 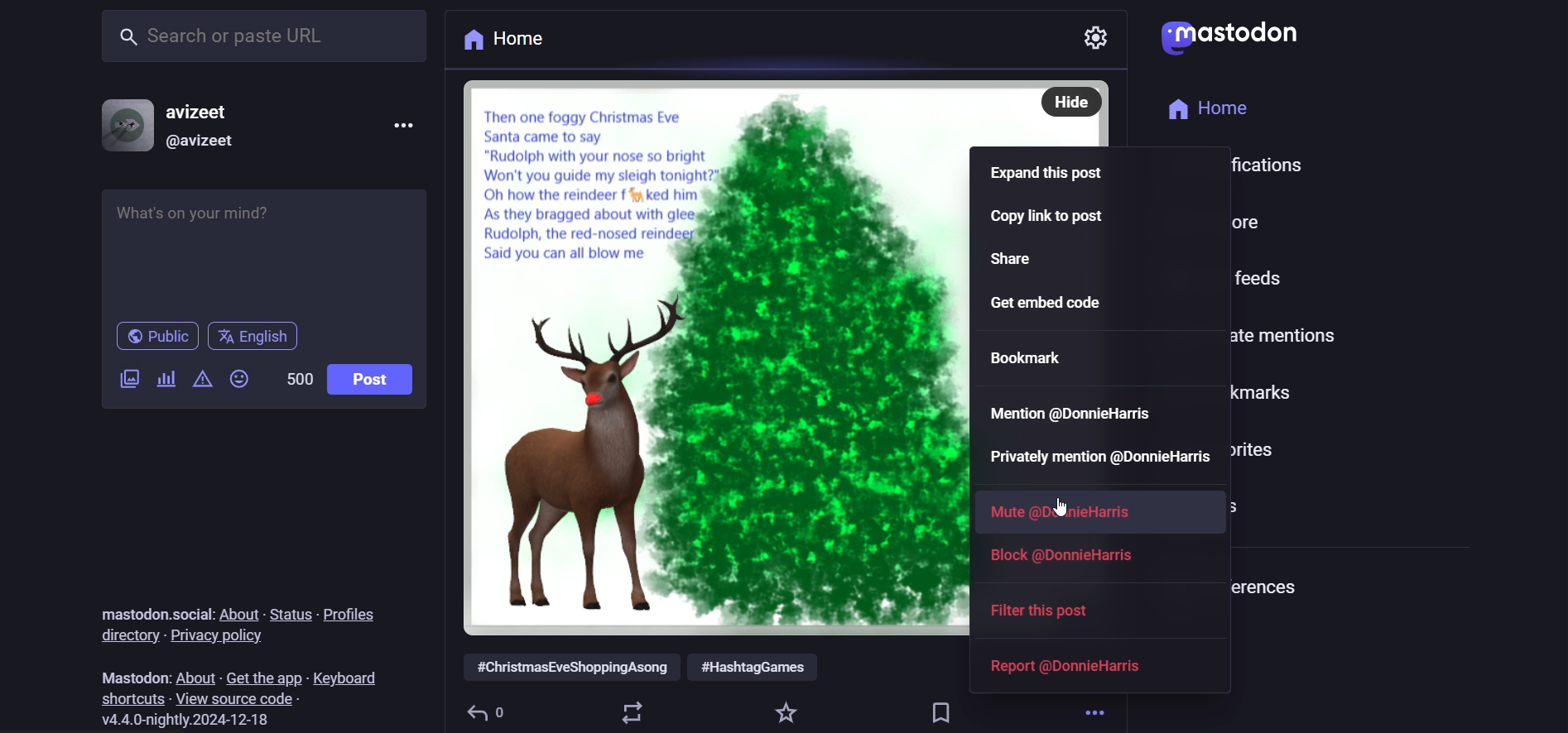 I want to click on more, so click(x=406, y=124).